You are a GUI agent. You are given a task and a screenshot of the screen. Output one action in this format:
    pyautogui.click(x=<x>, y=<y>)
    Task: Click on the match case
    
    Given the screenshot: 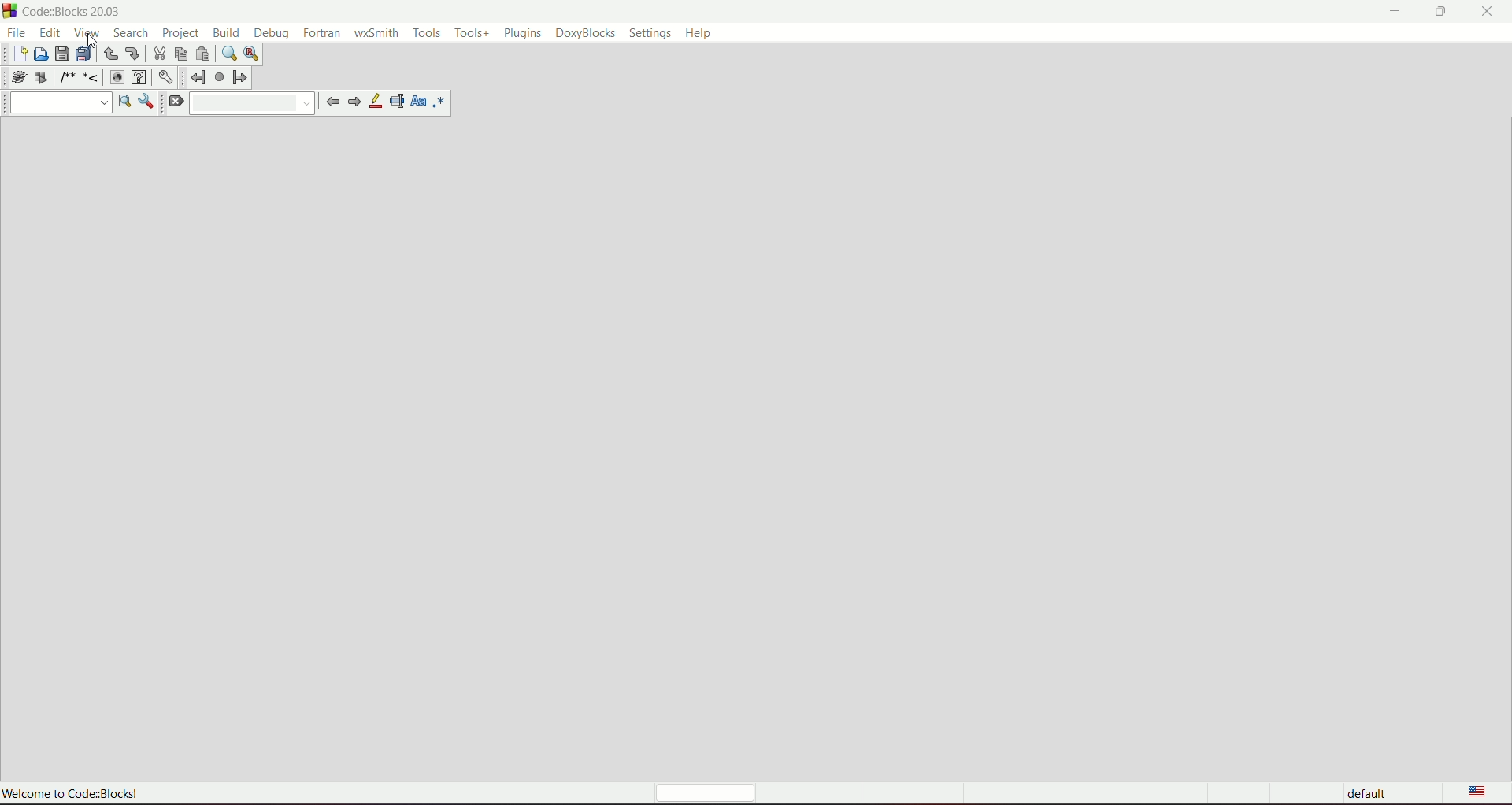 What is the action you would take?
    pyautogui.click(x=418, y=102)
    